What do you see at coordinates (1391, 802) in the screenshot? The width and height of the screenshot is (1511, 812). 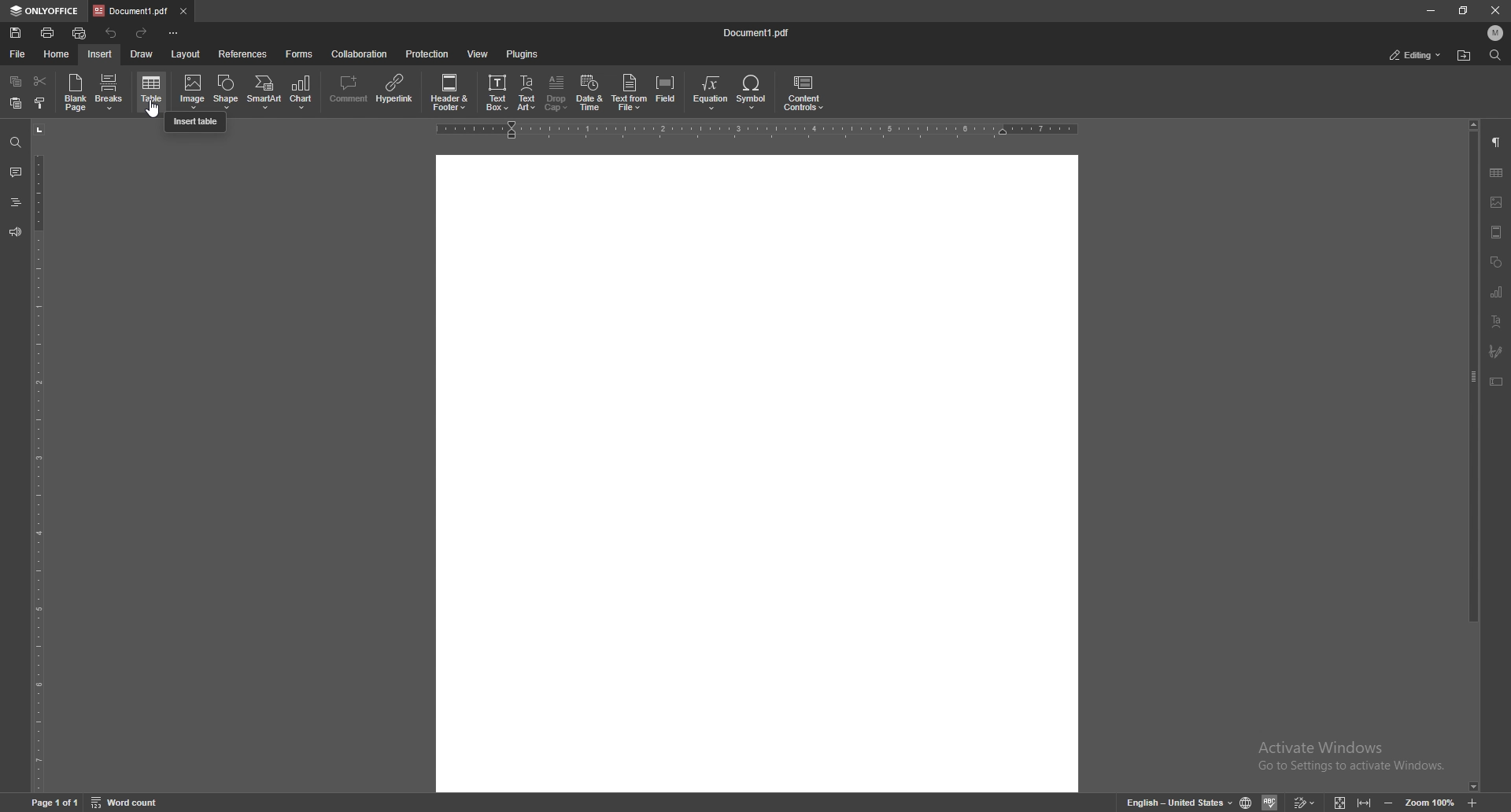 I see `zoom out` at bounding box center [1391, 802].